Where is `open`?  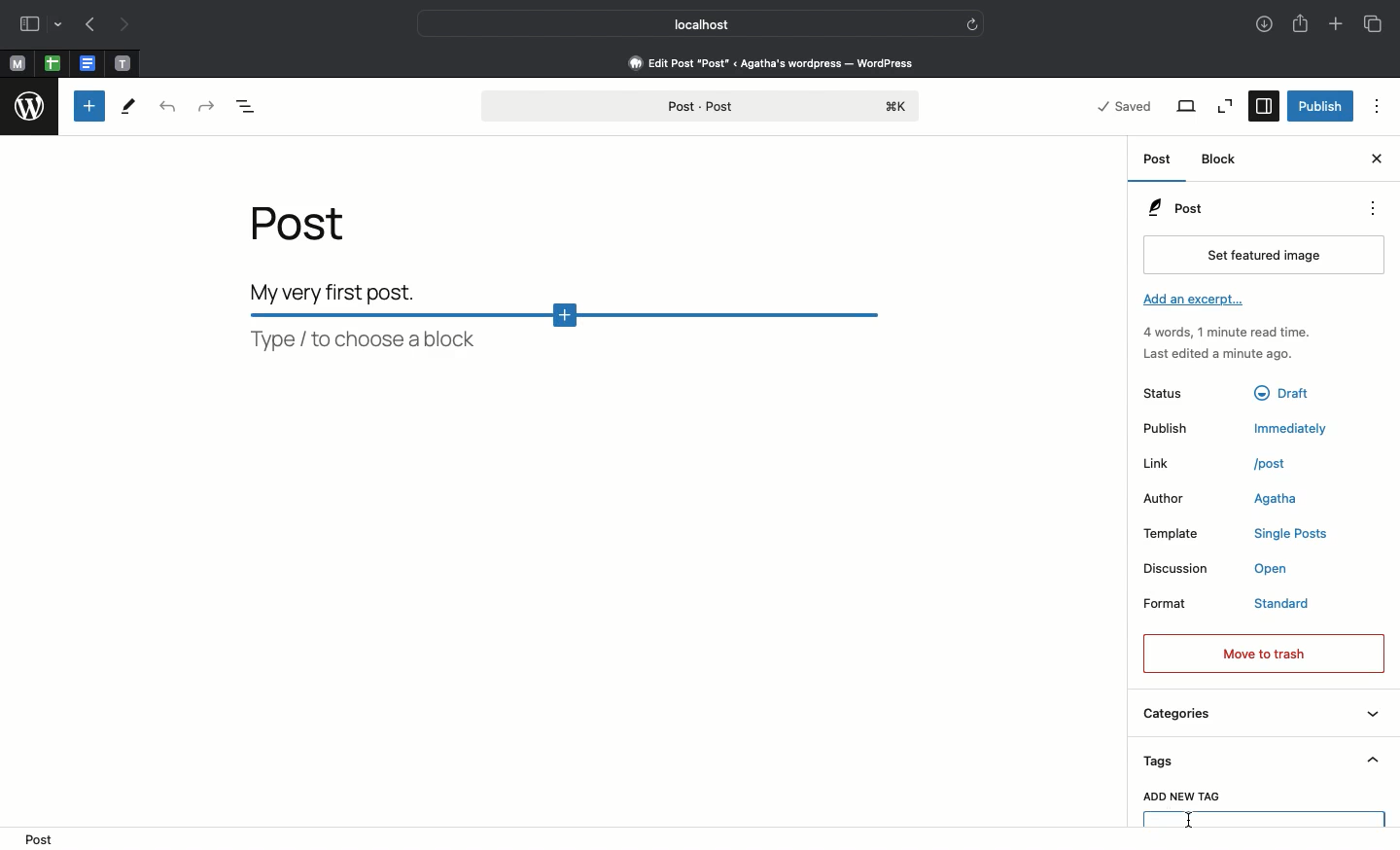
open is located at coordinates (1273, 568).